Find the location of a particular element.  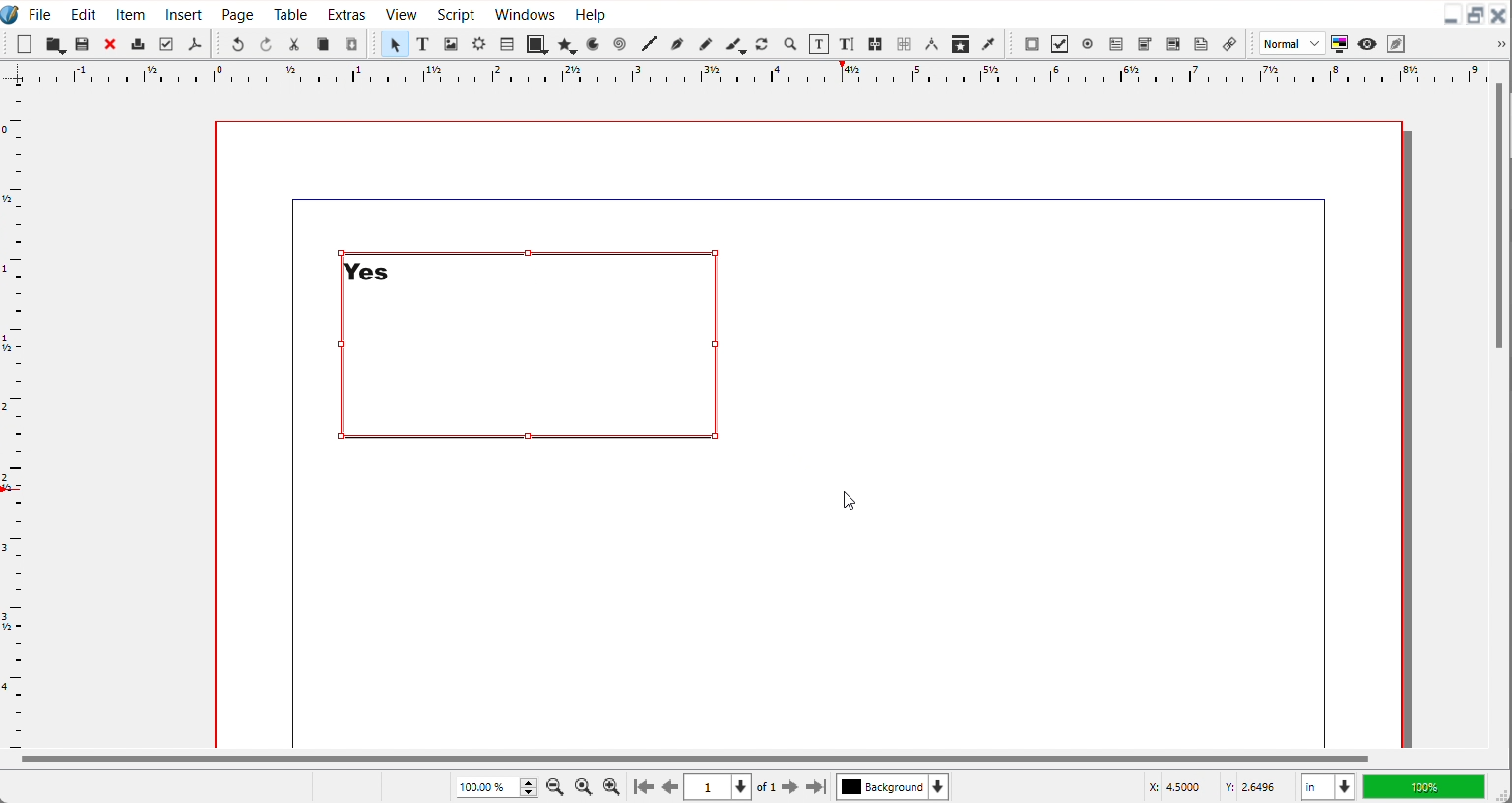

Cursor is located at coordinates (849, 501).